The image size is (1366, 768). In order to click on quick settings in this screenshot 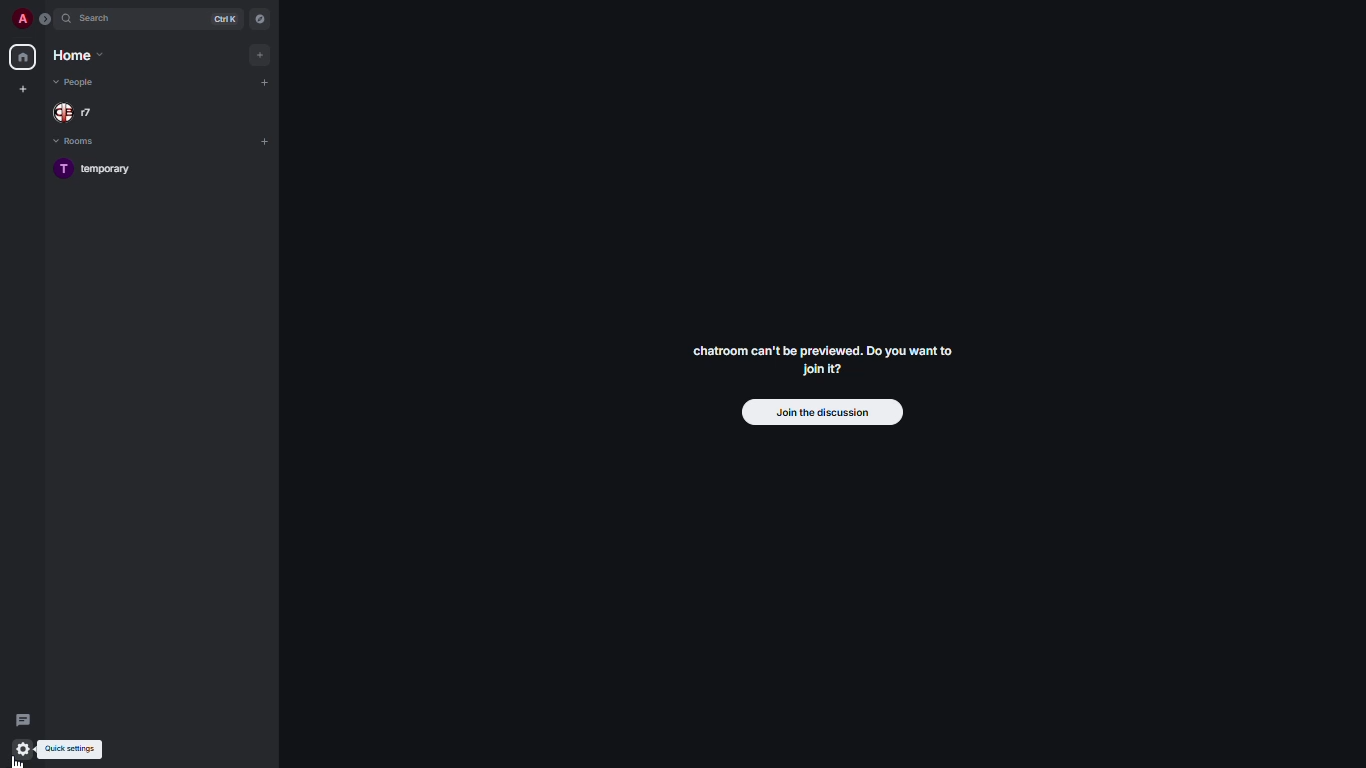, I will do `click(69, 749)`.